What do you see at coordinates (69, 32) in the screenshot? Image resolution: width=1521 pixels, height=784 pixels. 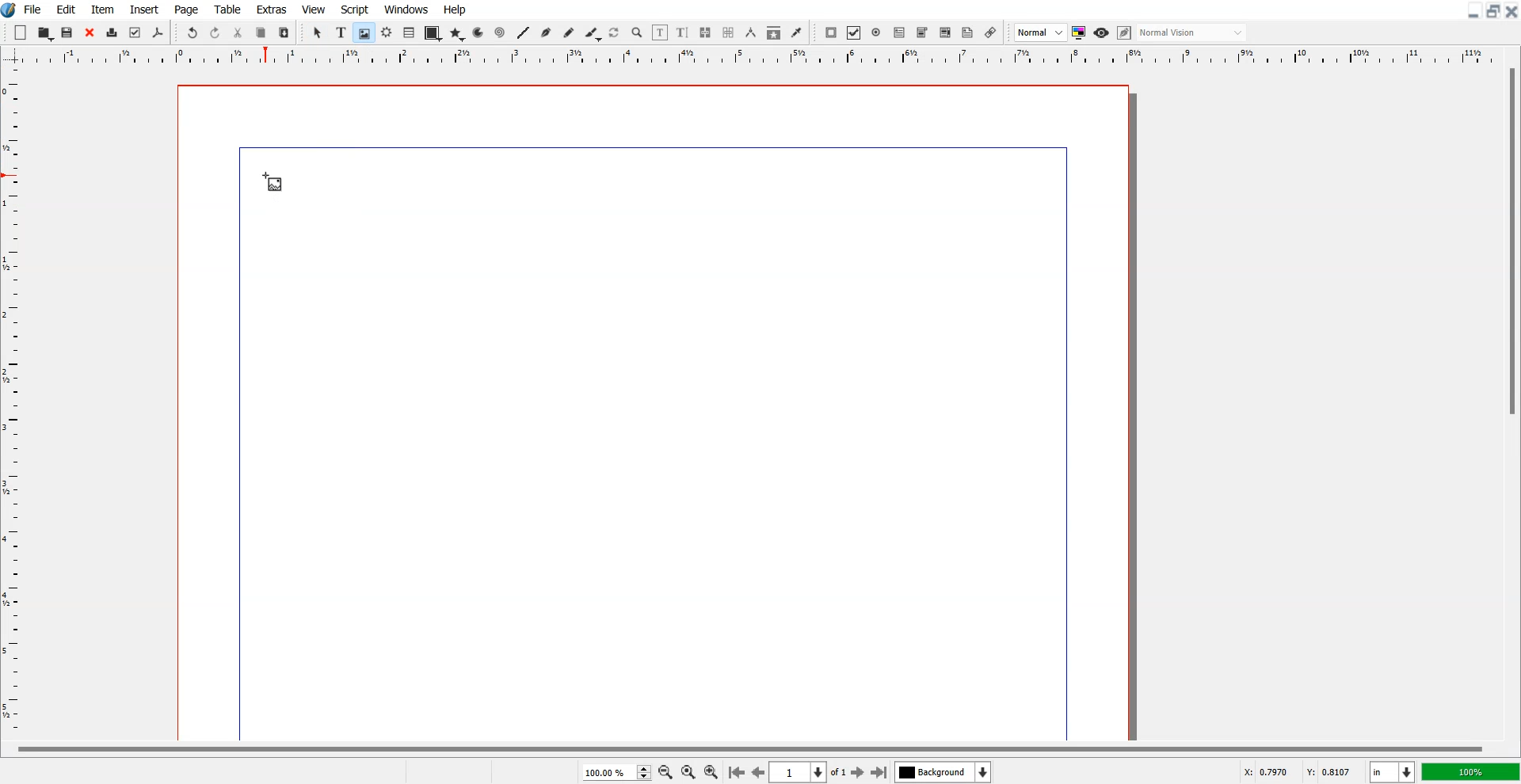 I see `Open` at bounding box center [69, 32].